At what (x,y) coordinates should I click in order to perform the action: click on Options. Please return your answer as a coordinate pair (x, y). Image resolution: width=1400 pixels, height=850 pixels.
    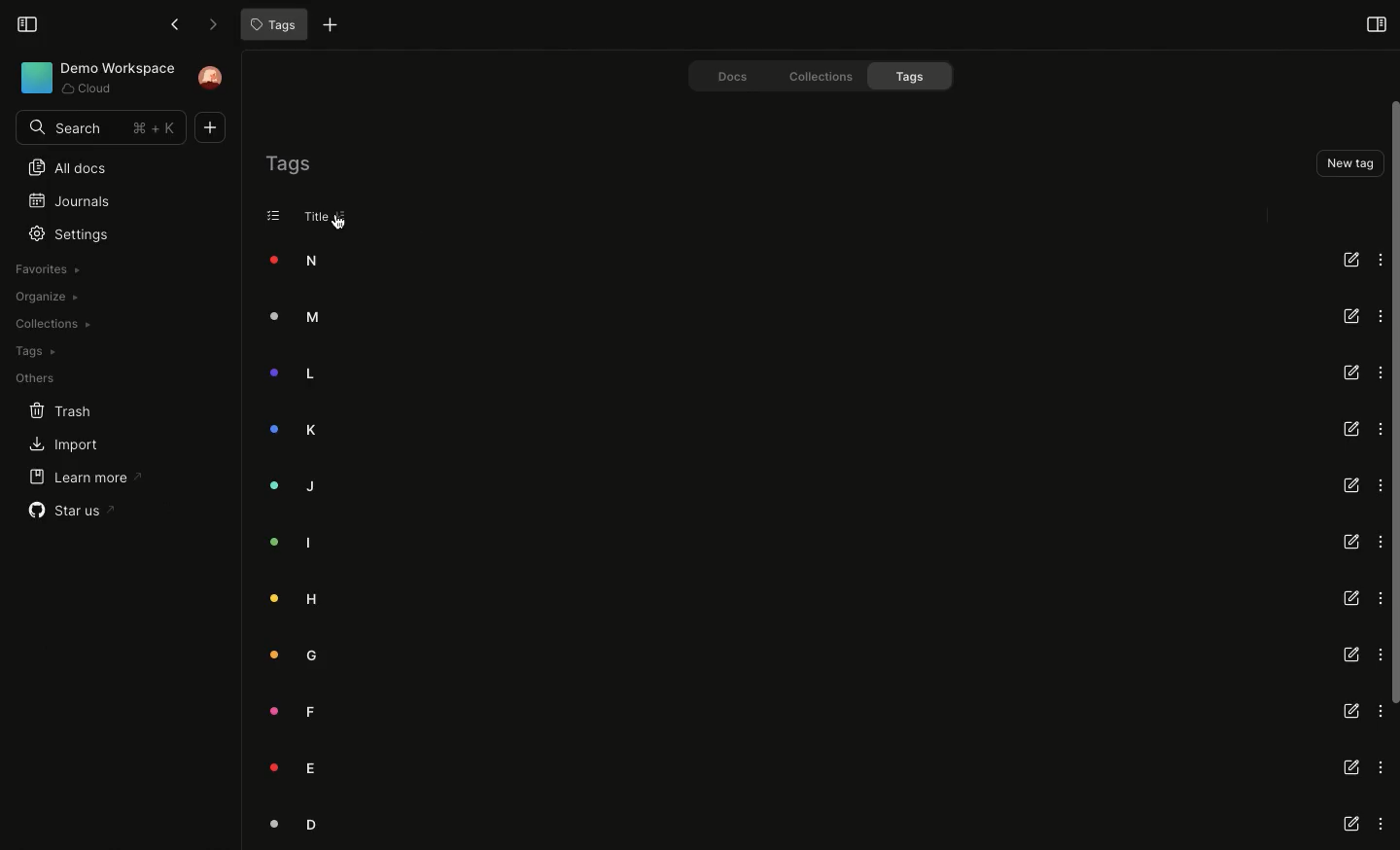
    Looking at the image, I should click on (1380, 710).